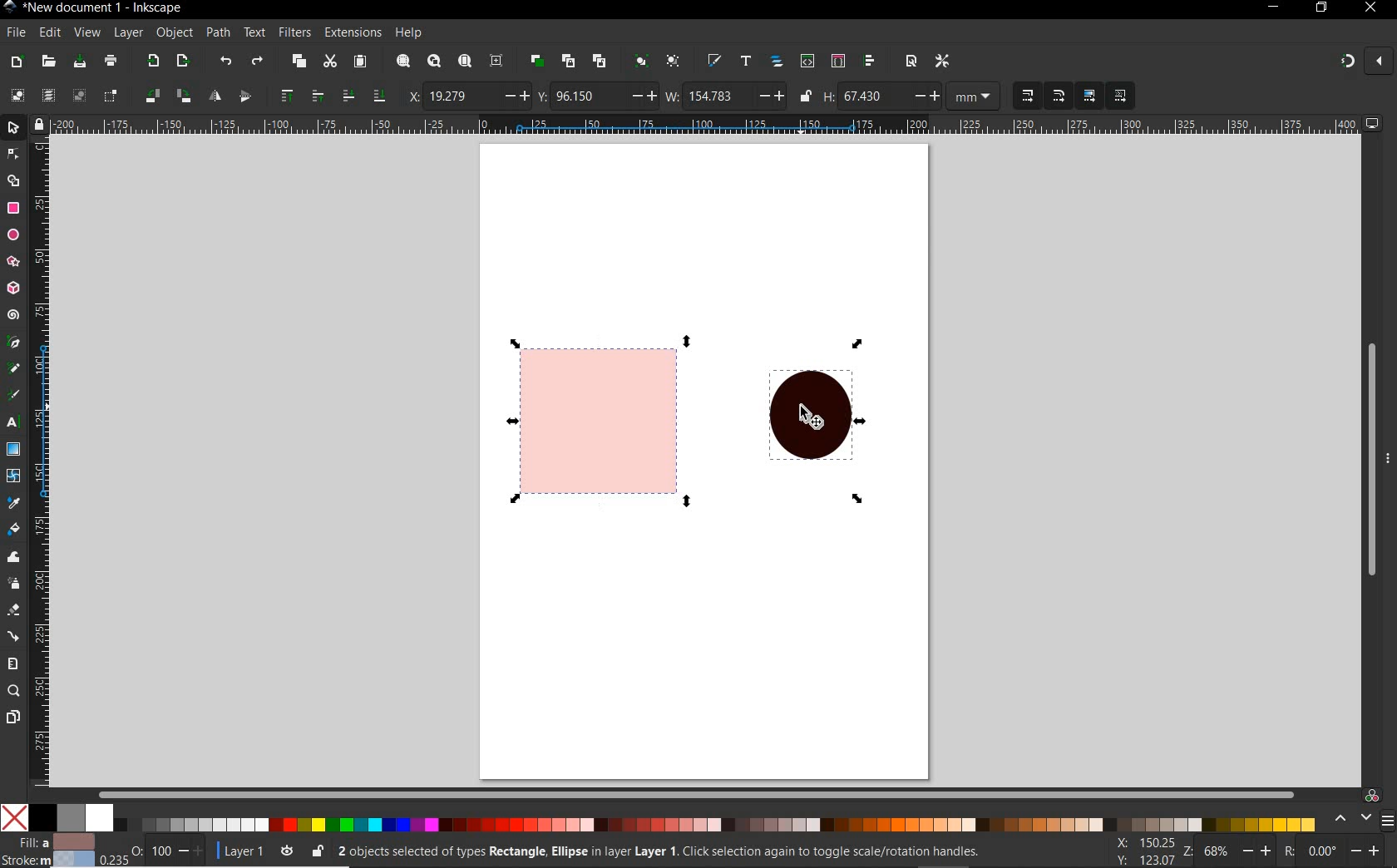  What do you see at coordinates (165, 95) in the screenshot?
I see `object flip 90 clockwise` at bounding box center [165, 95].